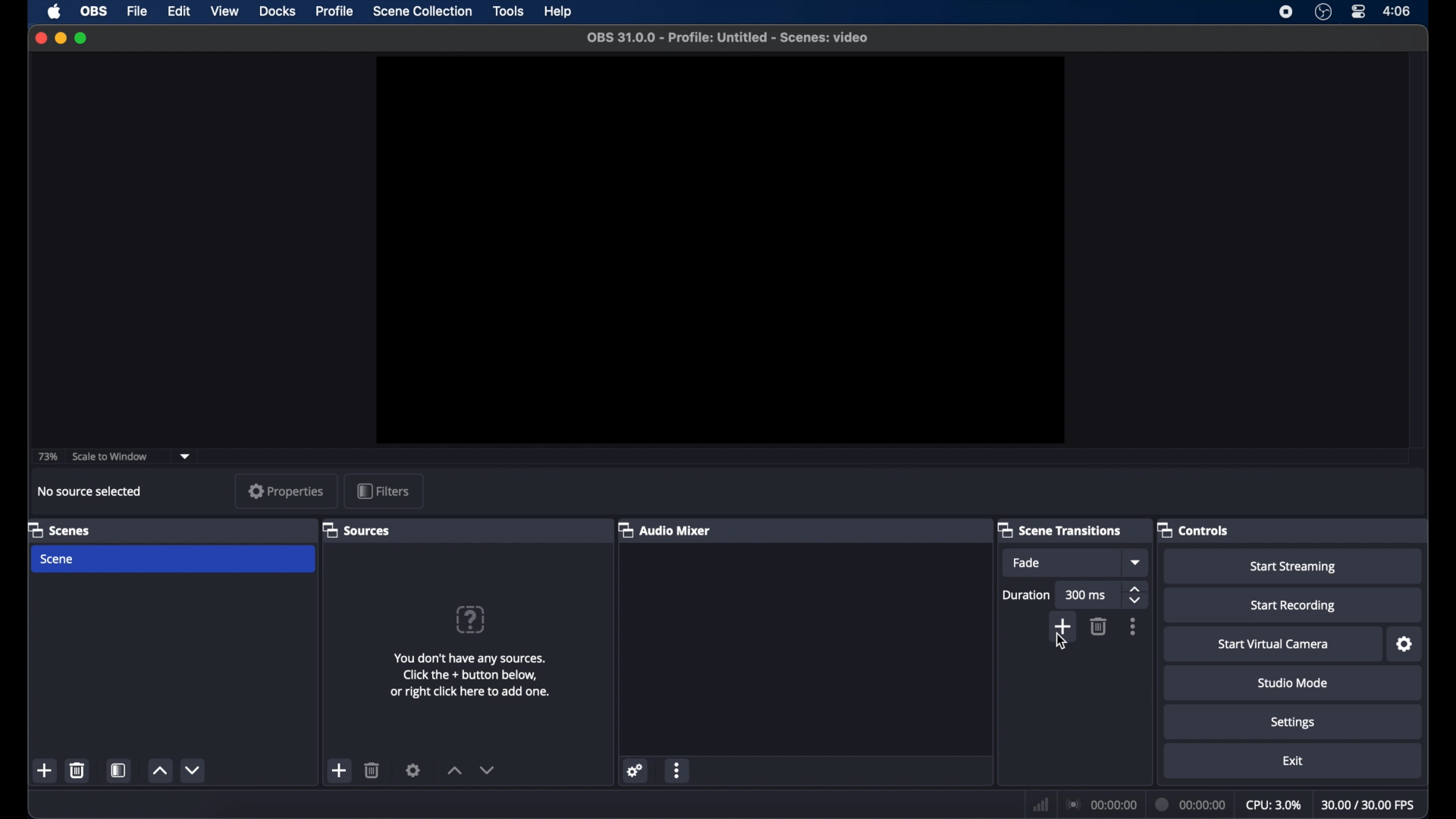  What do you see at coordinates (1134, 626) in the screenshot?
I see `moreoptions` at bounding box center [1134, 626].